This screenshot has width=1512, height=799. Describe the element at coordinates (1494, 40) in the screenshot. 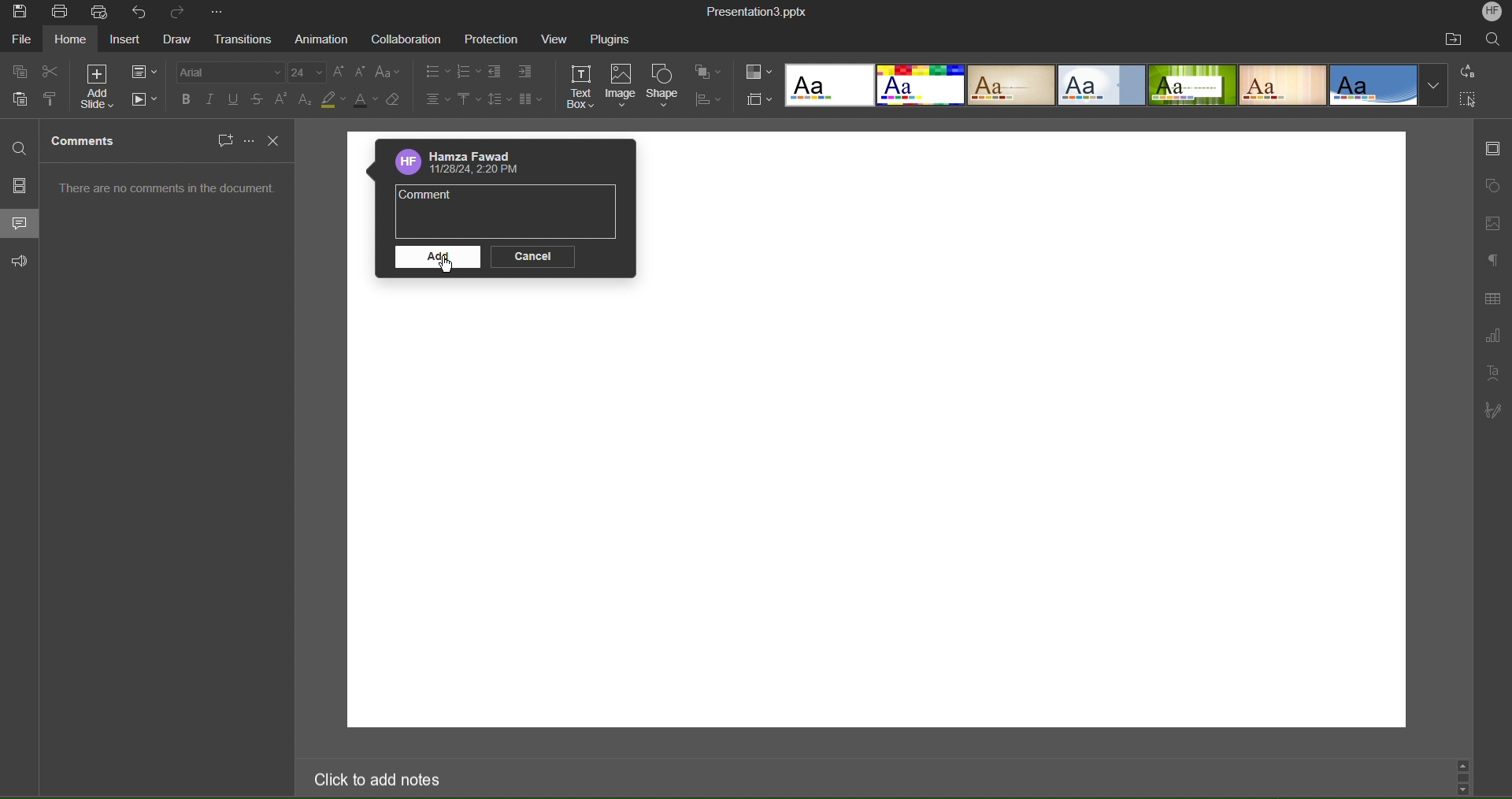

I see `Search` at that location.